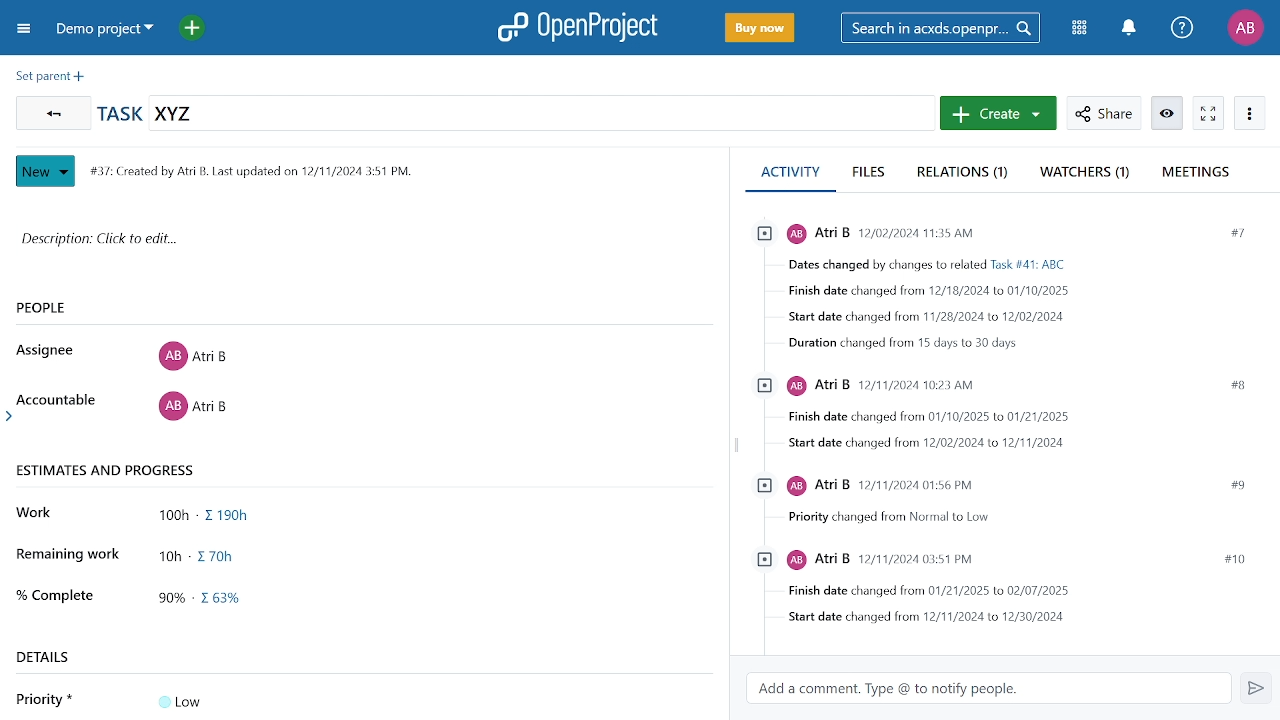 This screenshot has width=1280, height=720. What do you see at coordinates (1194, 174) in the screenshot?
I see `Meetings` at bounding box center [1194, 174].